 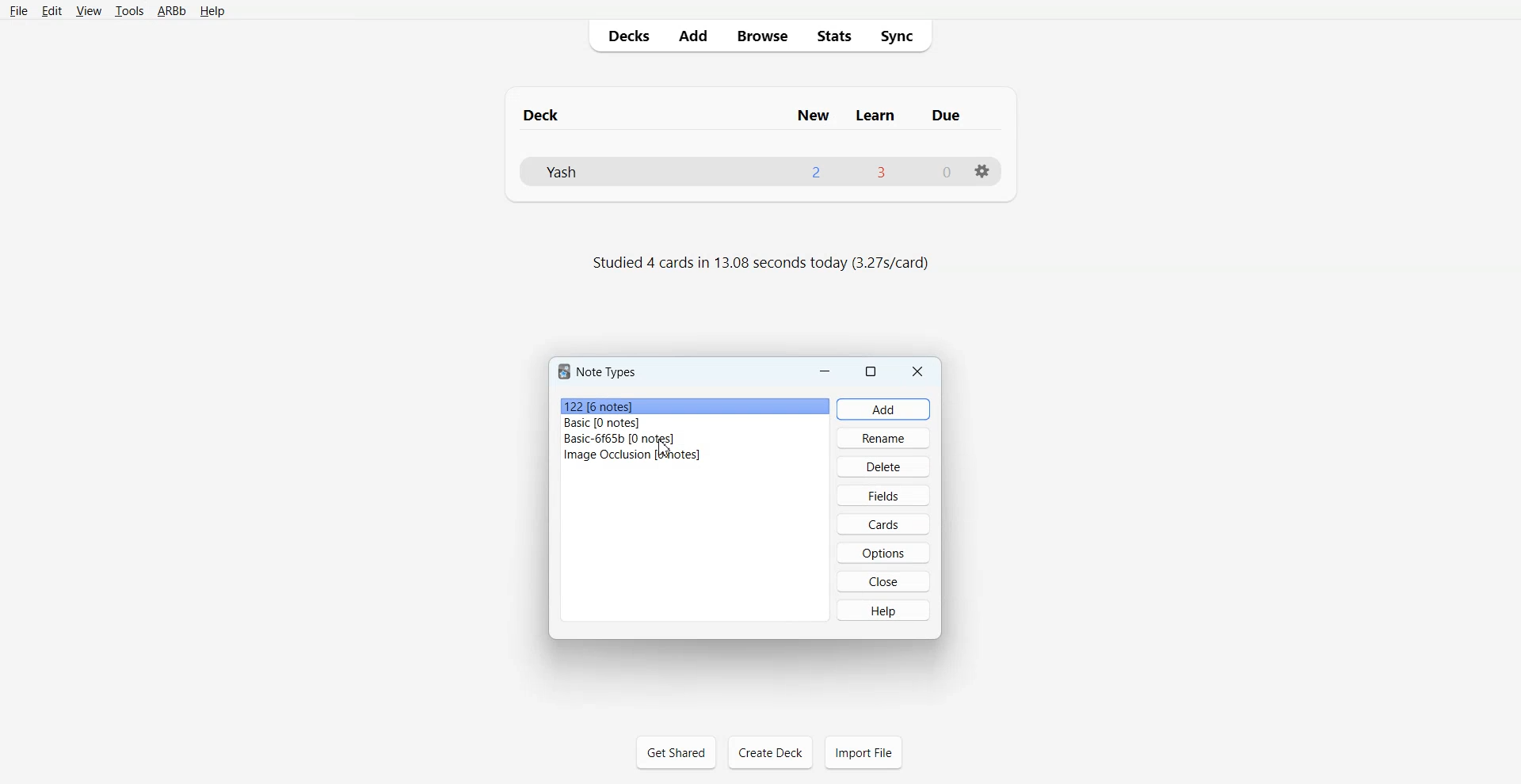 What do you see at coordinates (883, 466) in the screenshot?
I see `Delete` at bounding box center [883, 466].